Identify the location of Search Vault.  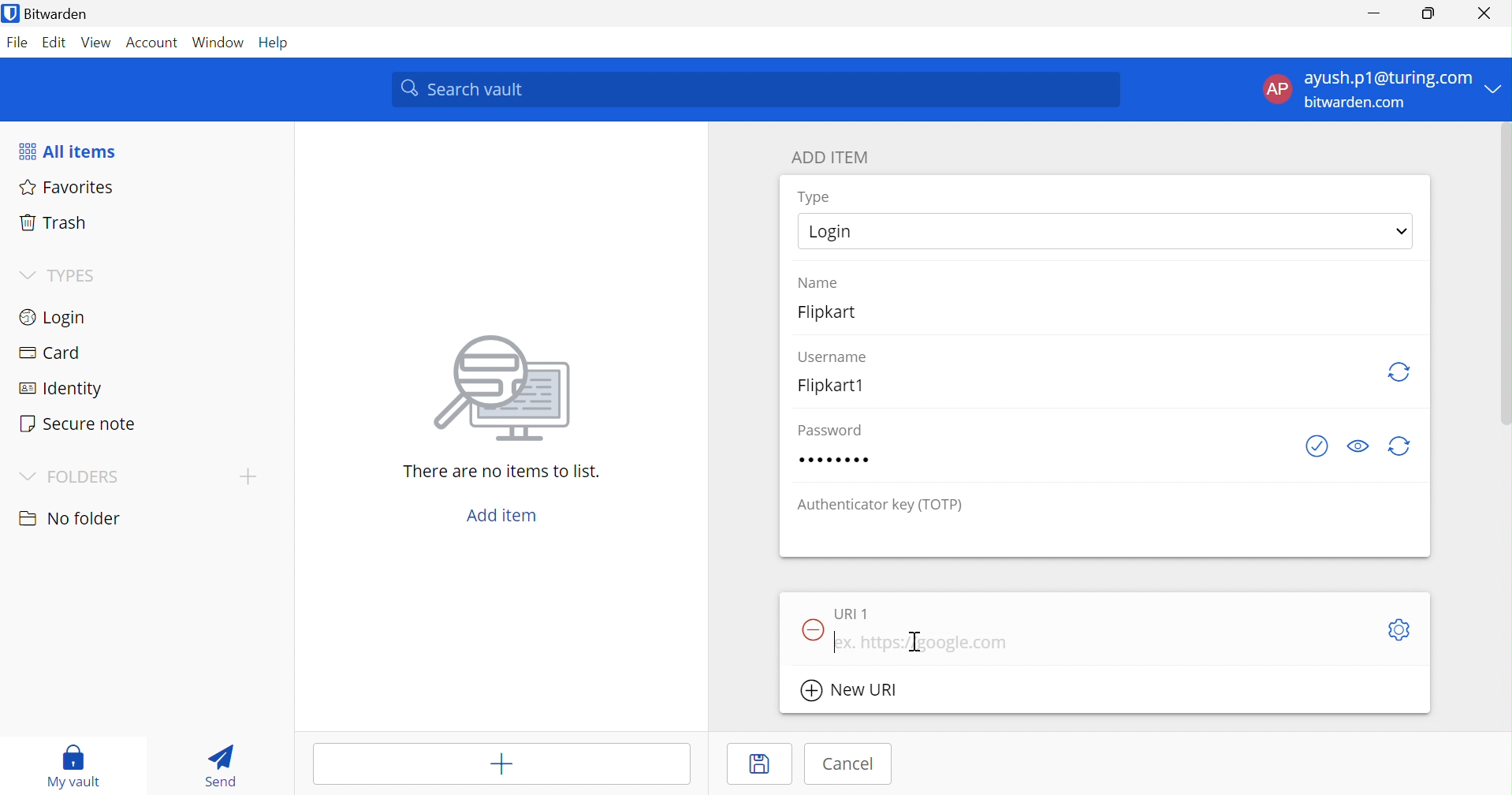
(757, 89).